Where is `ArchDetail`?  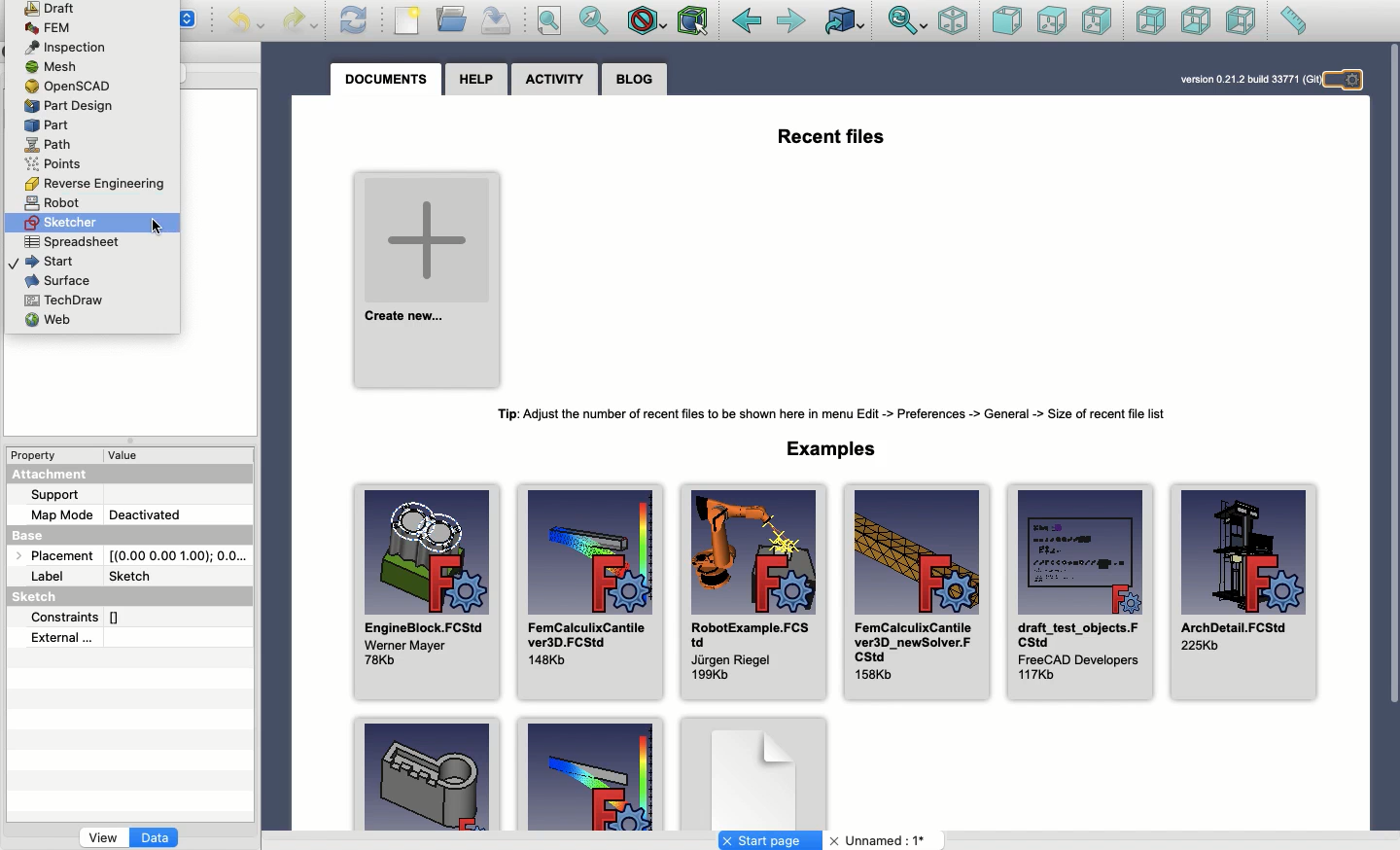
ArchDetail is located at coordinates (1246, 593).